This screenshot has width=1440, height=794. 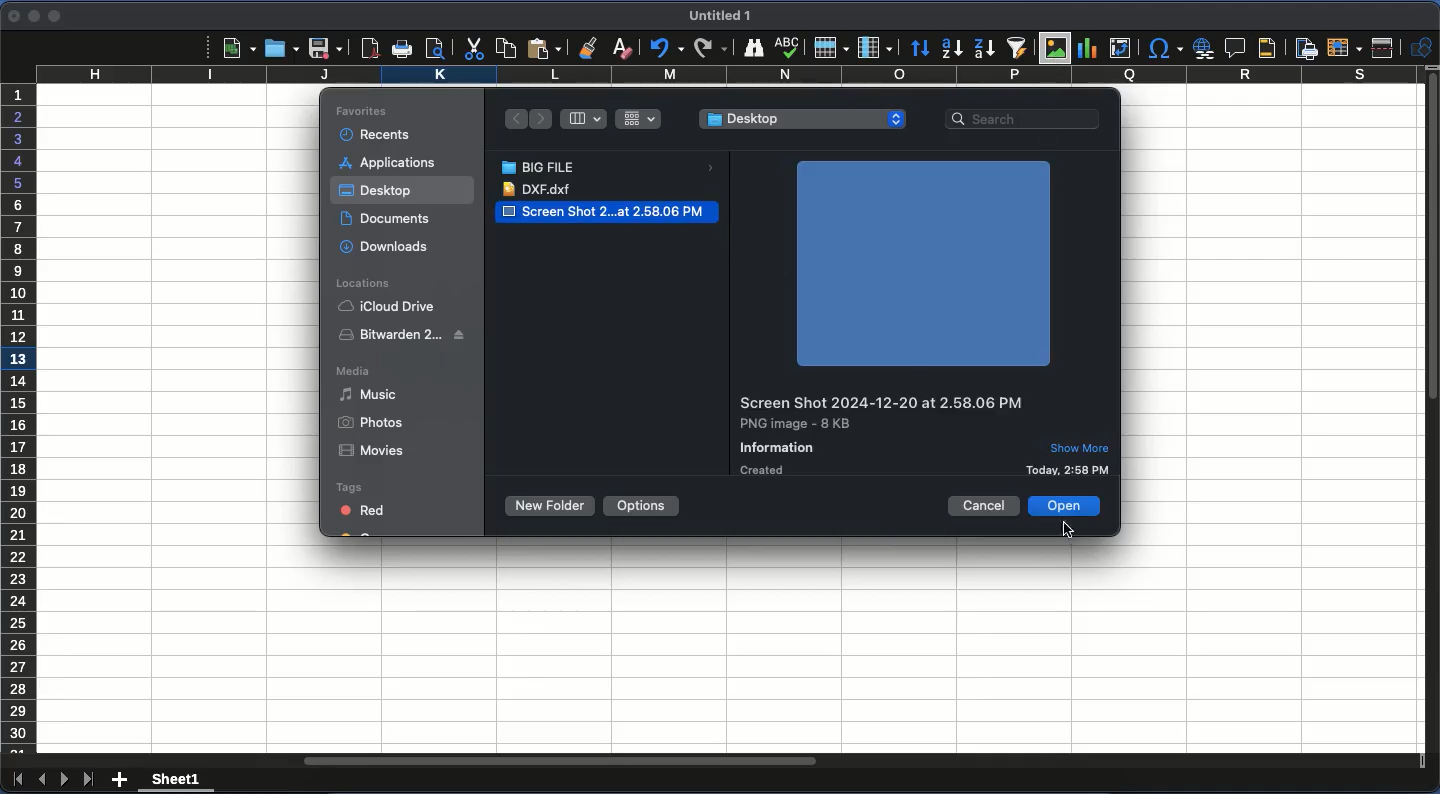 What do you see at coordinates (584, 119) in the screenshot?
I see `column` at bounding box center [584, 119].